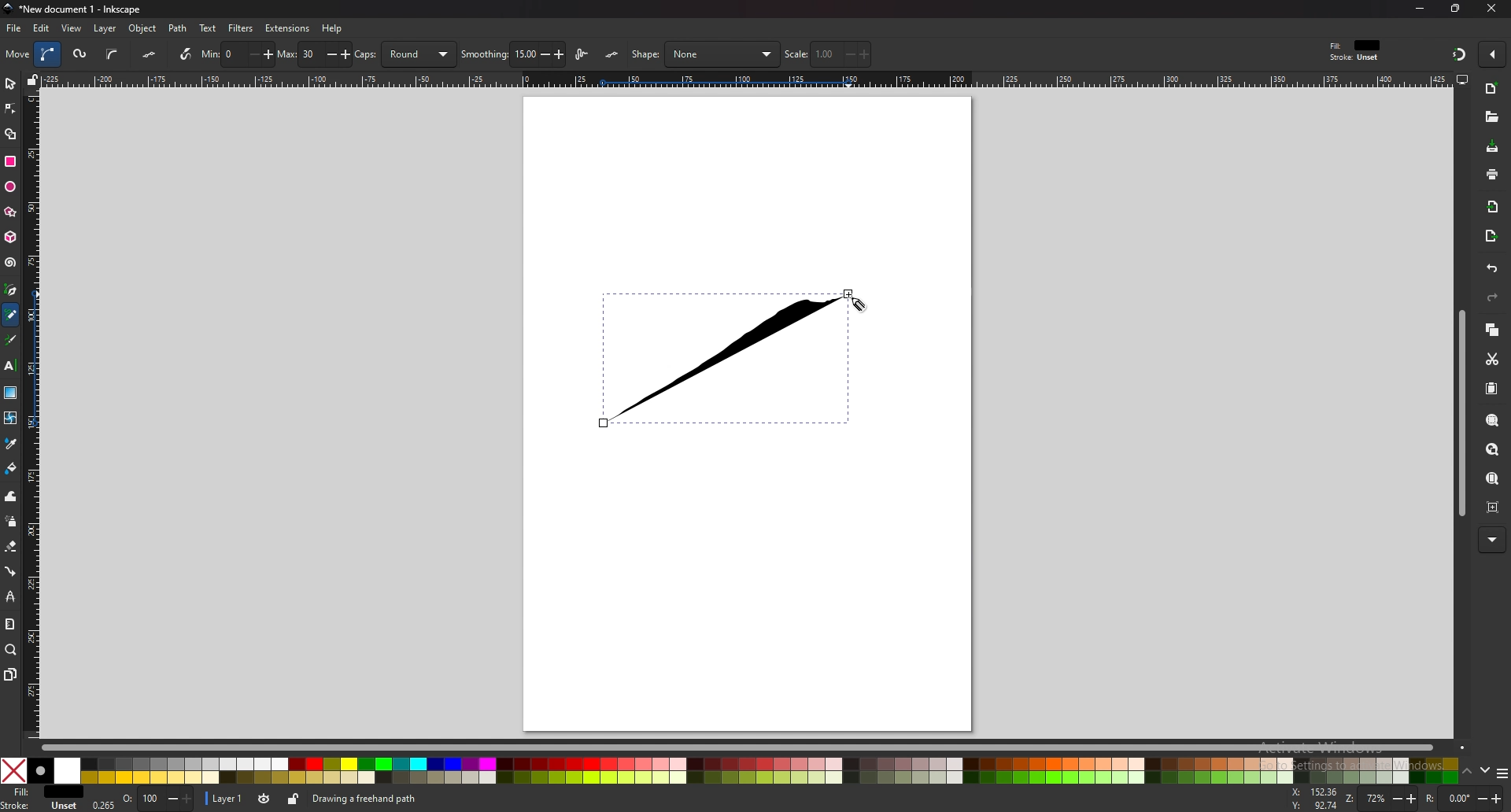  What do you see at coordinates (11, 418) in the screenshot?
I see `mesh` at bounding box center [11, 418].